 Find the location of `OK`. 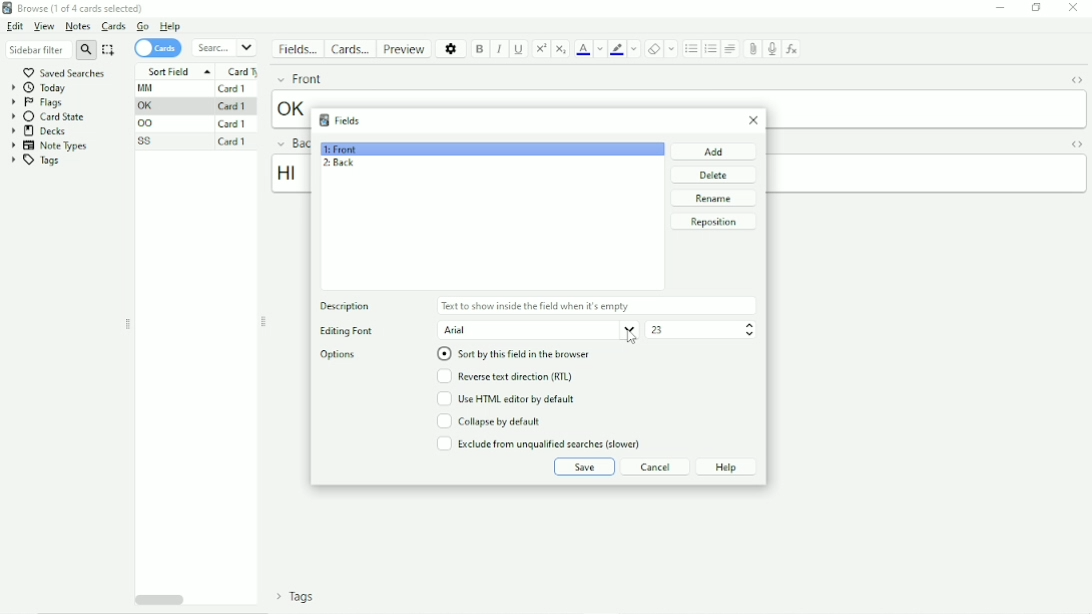

OK is located at coordinates (148, 106).